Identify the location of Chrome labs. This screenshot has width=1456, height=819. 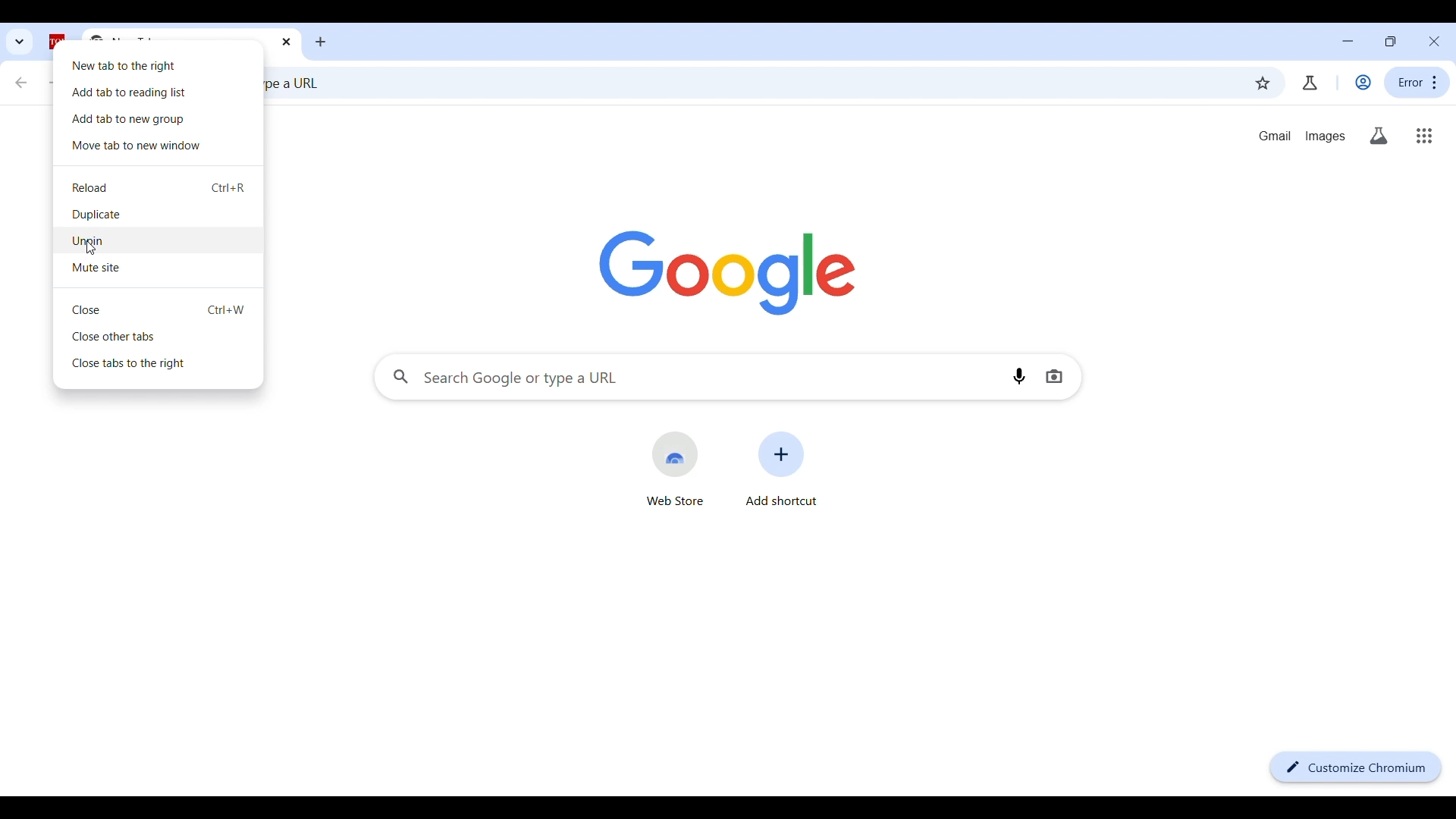
(1310, 83).